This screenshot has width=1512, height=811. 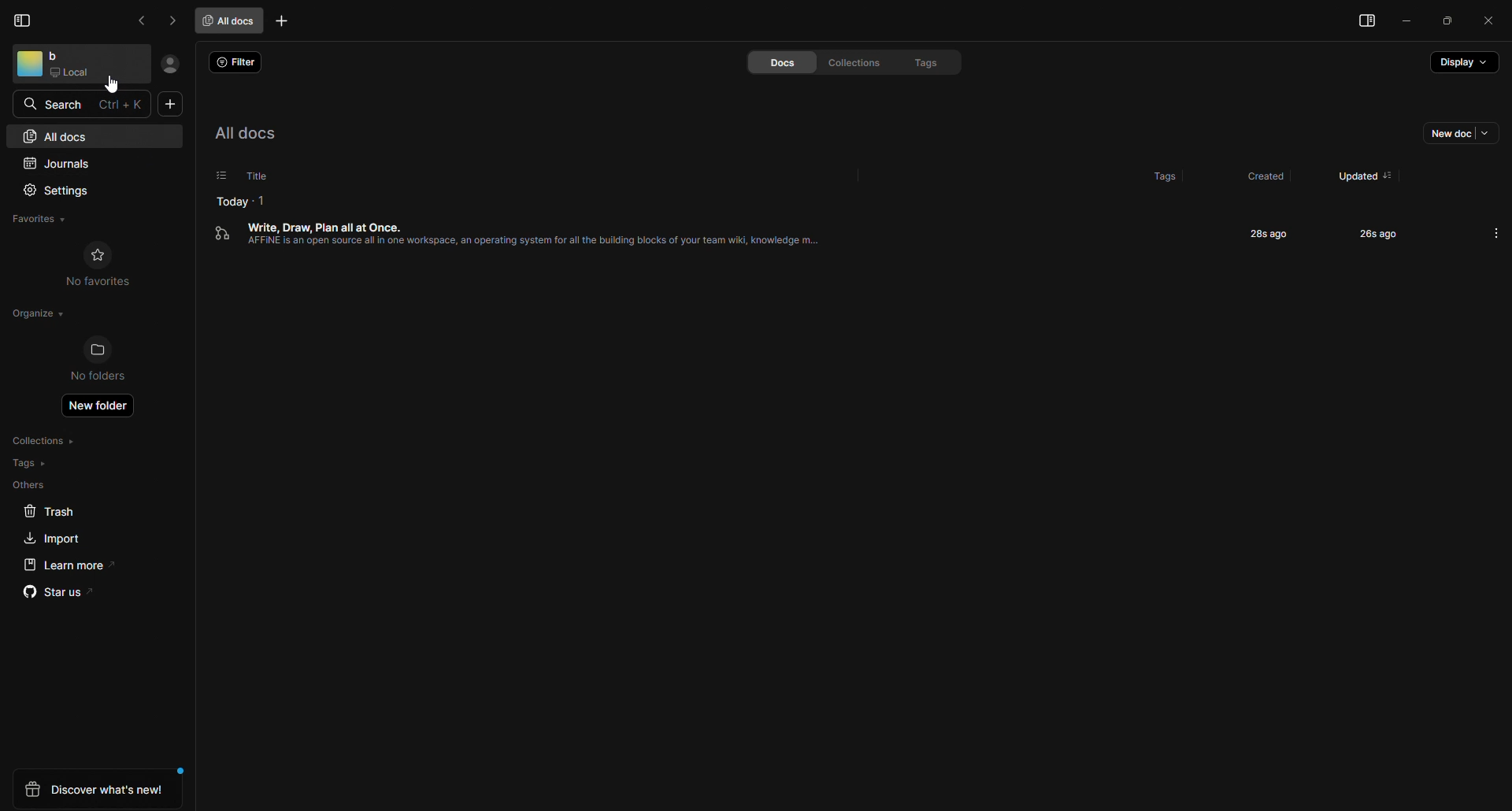 What do you see at coordinates (1265, 233) in the screenshot?
I see `time` at bounding box center [1265, 233].